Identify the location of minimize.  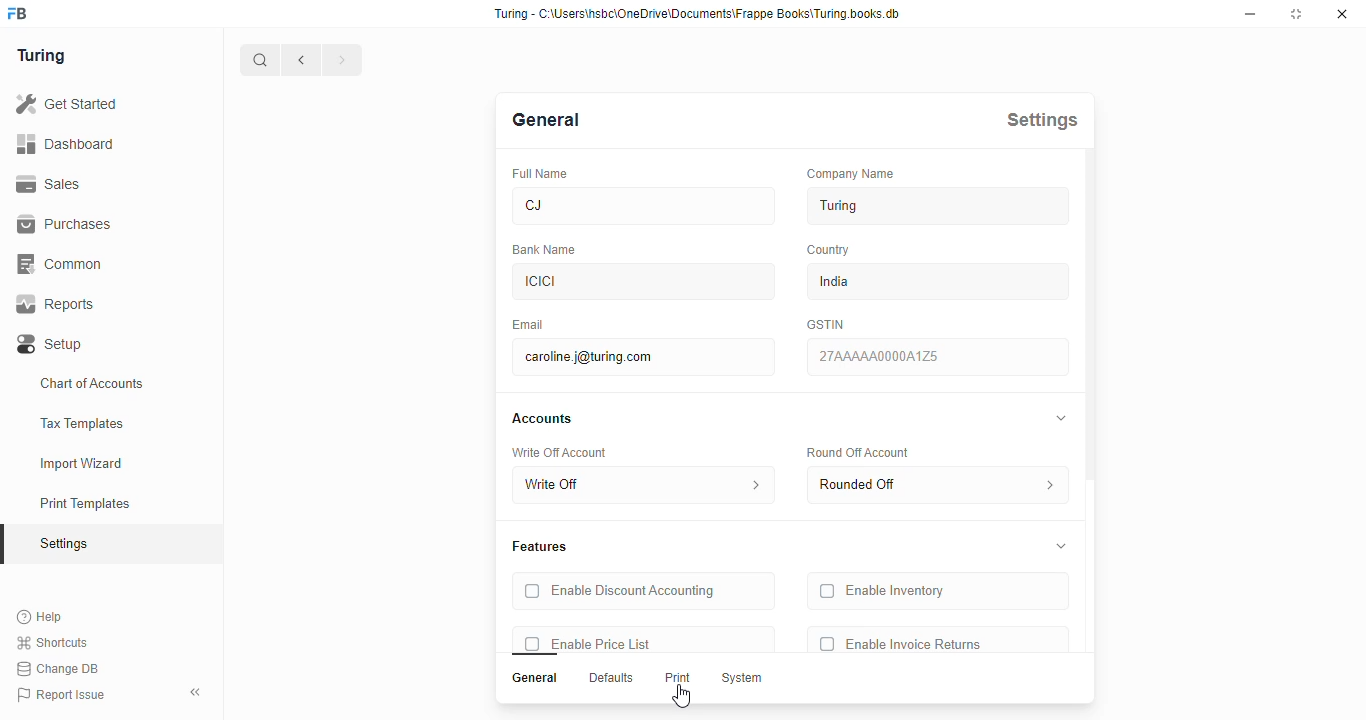
(1251, 14).